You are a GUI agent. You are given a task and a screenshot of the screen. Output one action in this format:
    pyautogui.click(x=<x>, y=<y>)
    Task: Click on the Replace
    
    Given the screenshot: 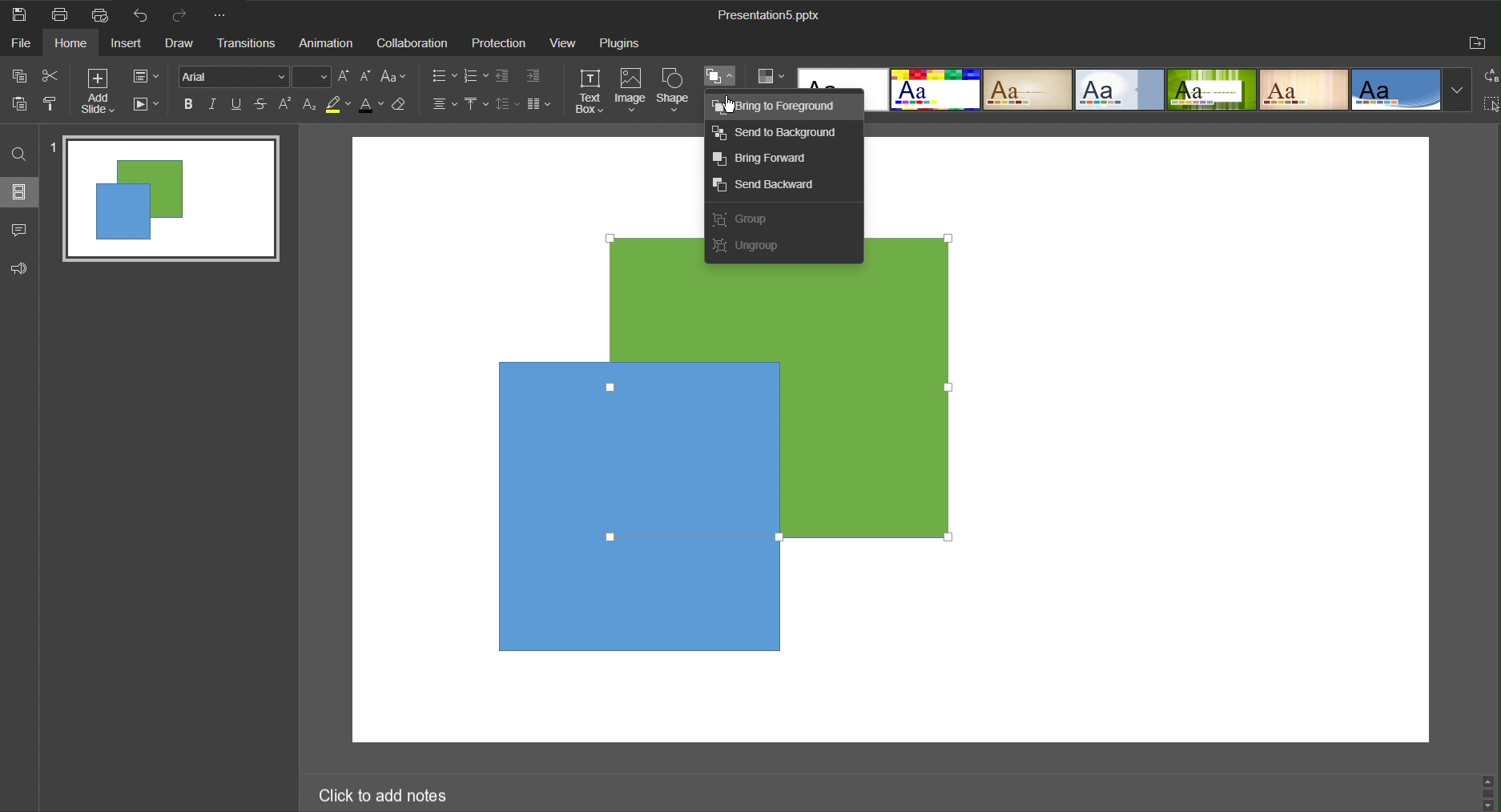 What is the action you would take?
    pyautogui.click(x=1491, y=76)
    